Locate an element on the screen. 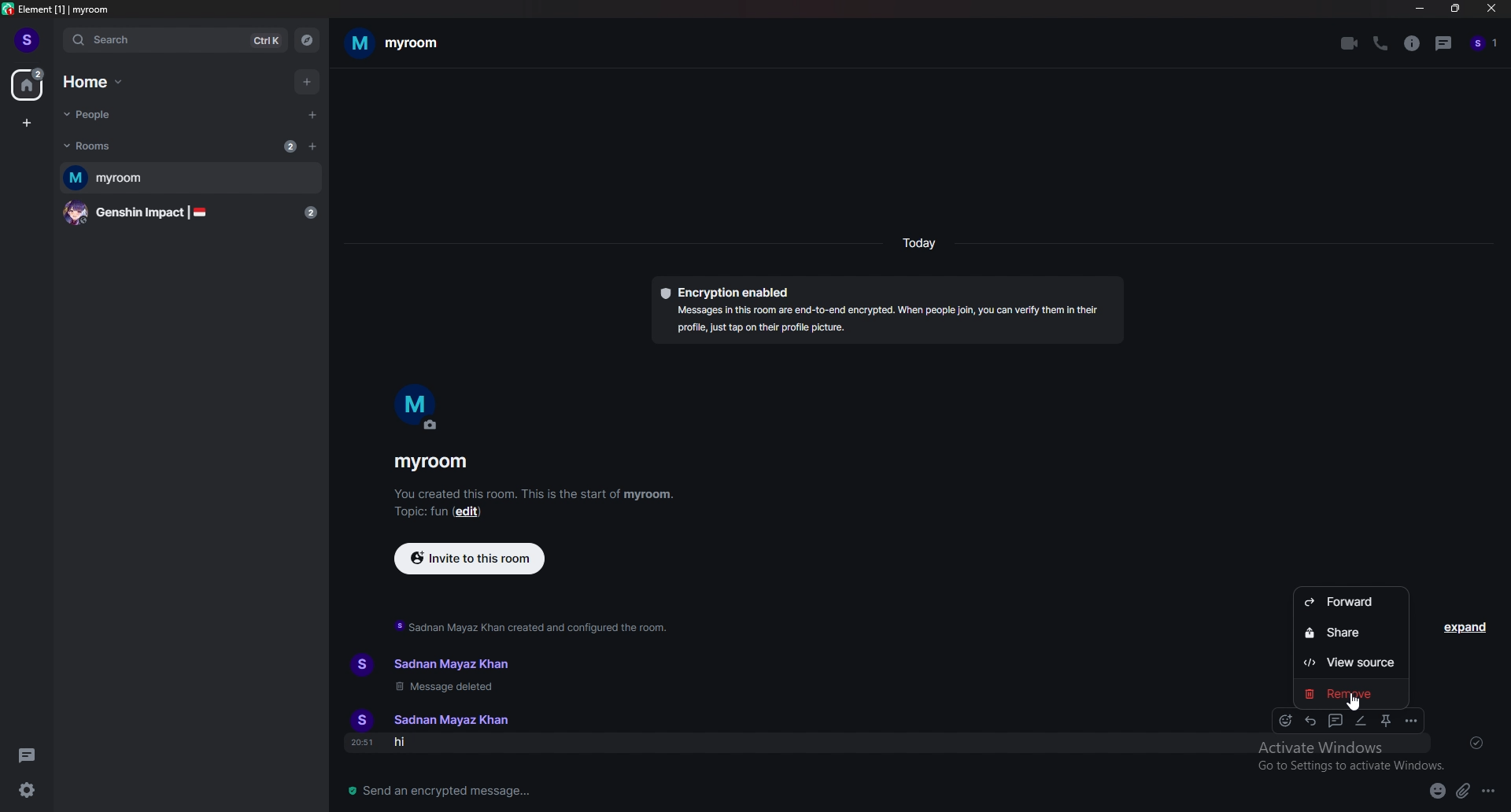 The image size is (1511, 812). sadnan mayaz khan 20:51 hi is located at coordinates (443, 732).